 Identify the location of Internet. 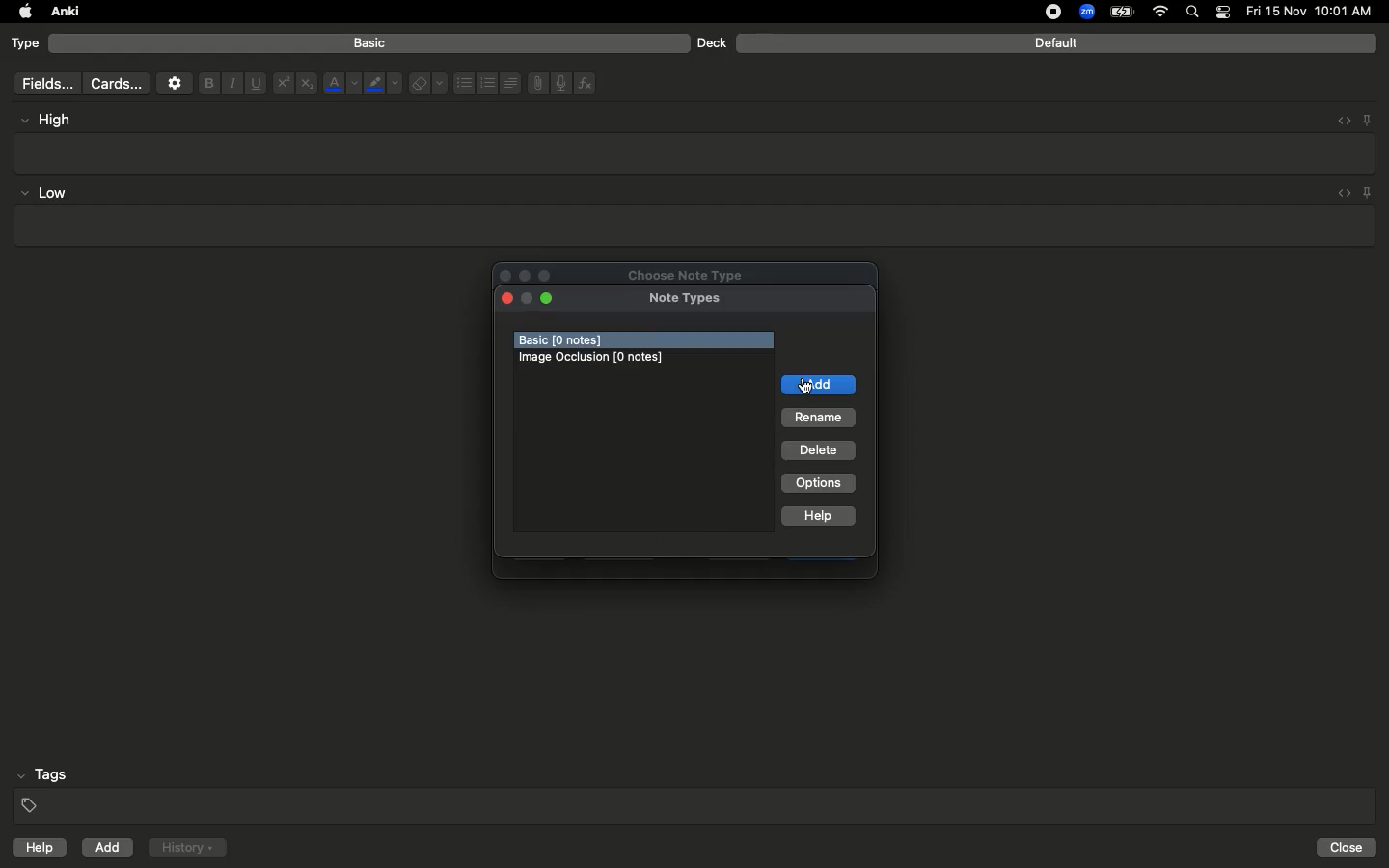
(1162, 13).